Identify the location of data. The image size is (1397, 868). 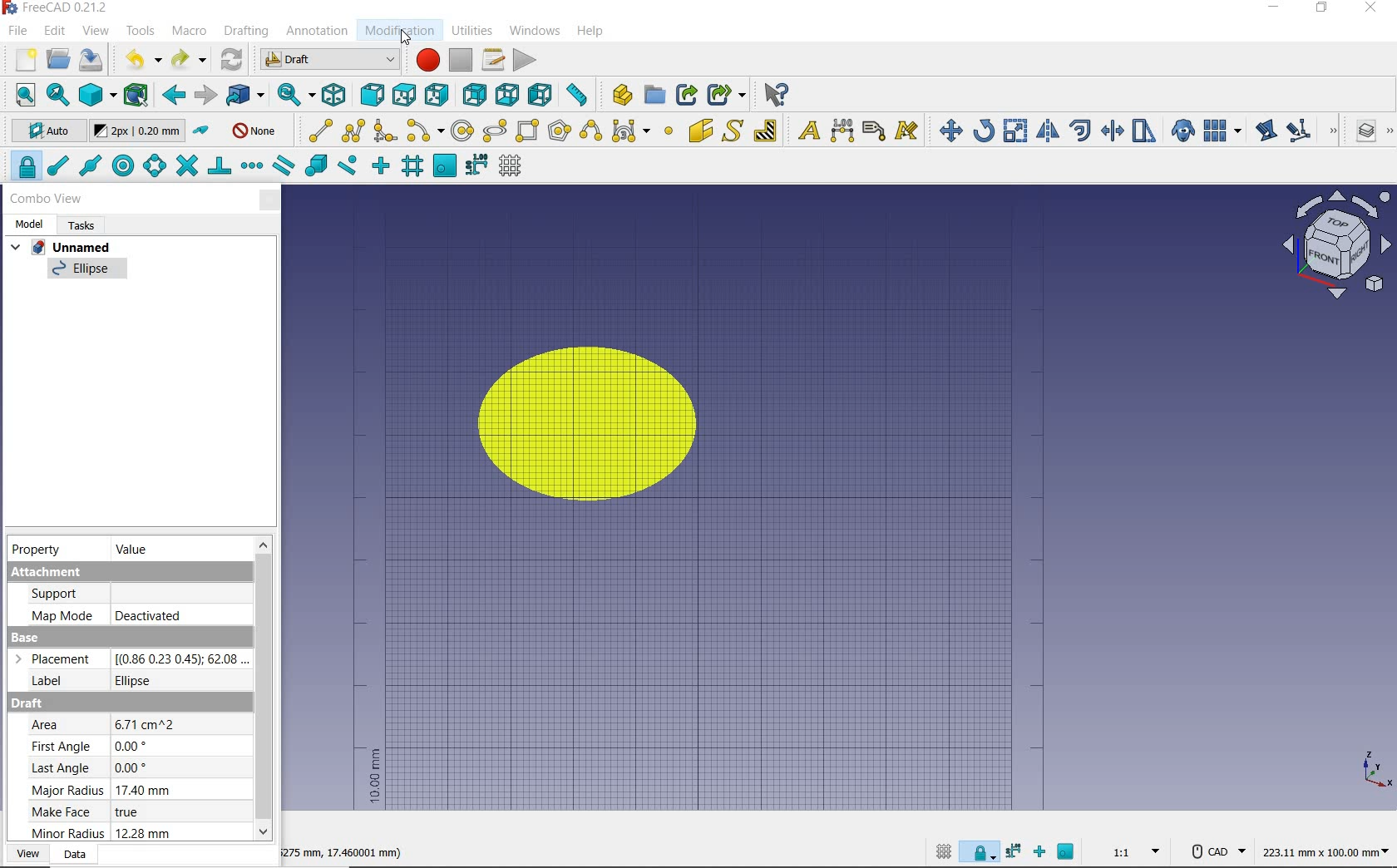
(77, 856).